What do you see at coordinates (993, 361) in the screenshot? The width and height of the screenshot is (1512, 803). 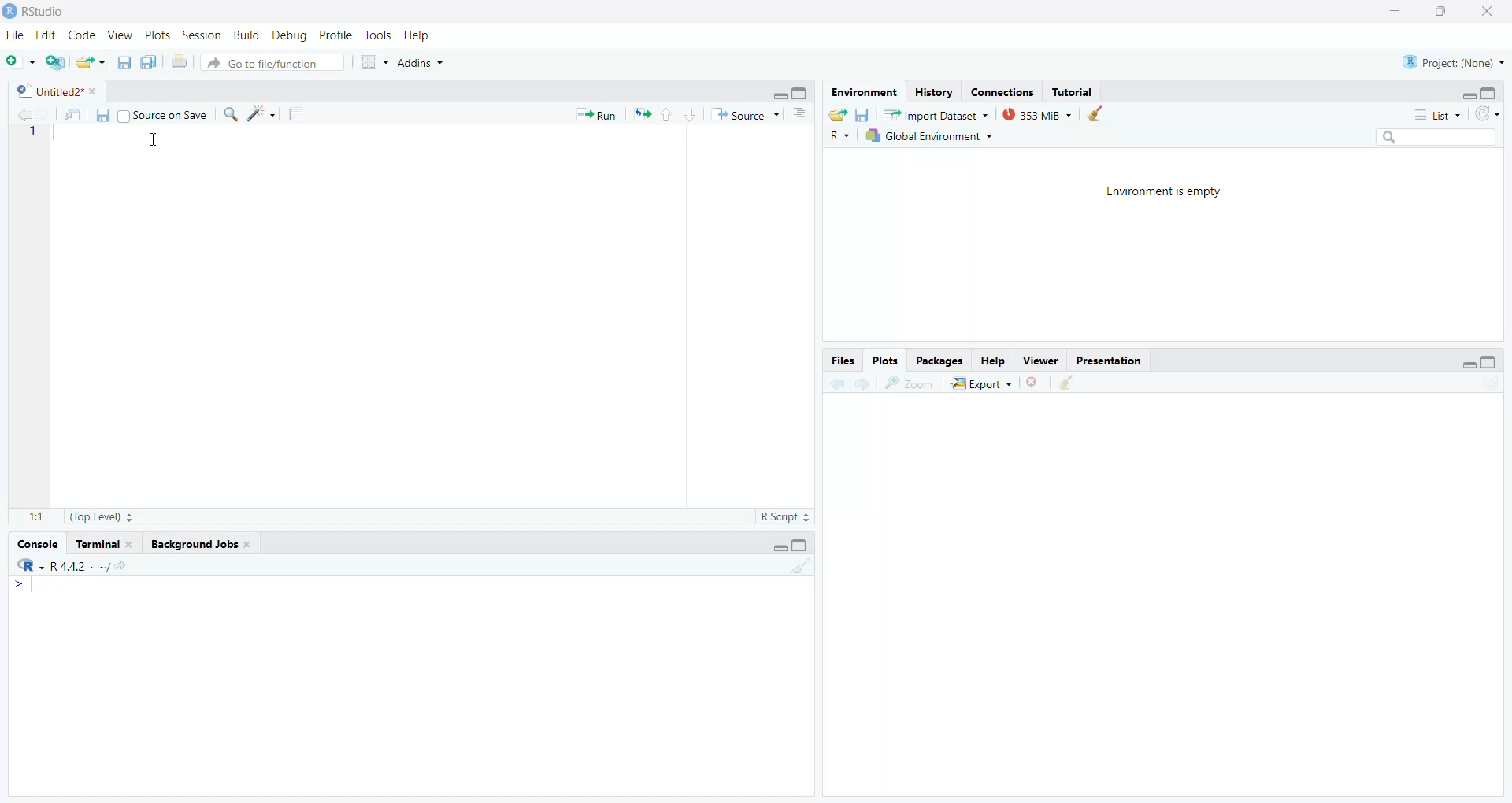 I see `Help` at bounding box center [993, 361].